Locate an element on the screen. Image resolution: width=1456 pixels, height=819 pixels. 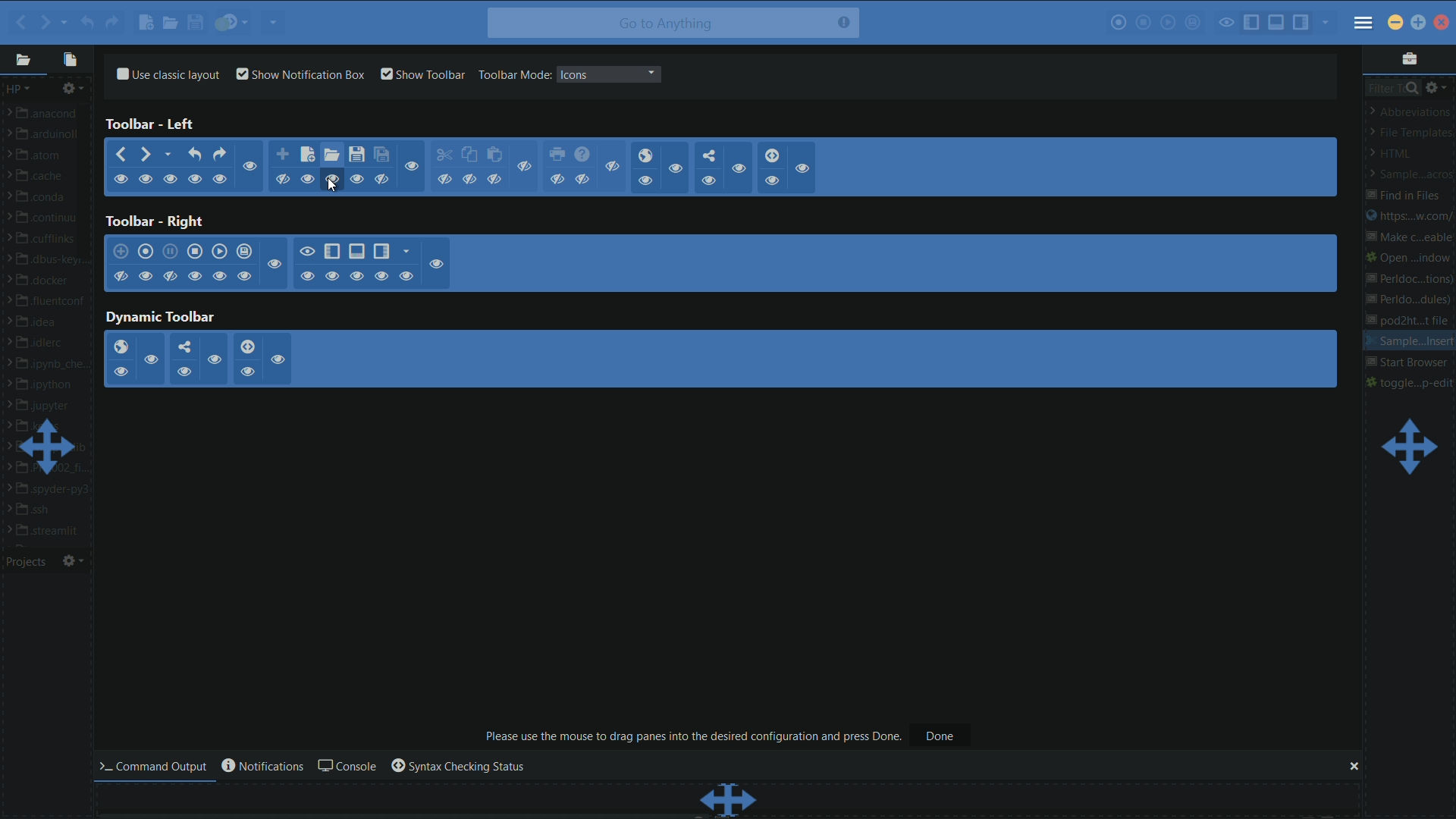
share current file is located at coordinates (710, 155).